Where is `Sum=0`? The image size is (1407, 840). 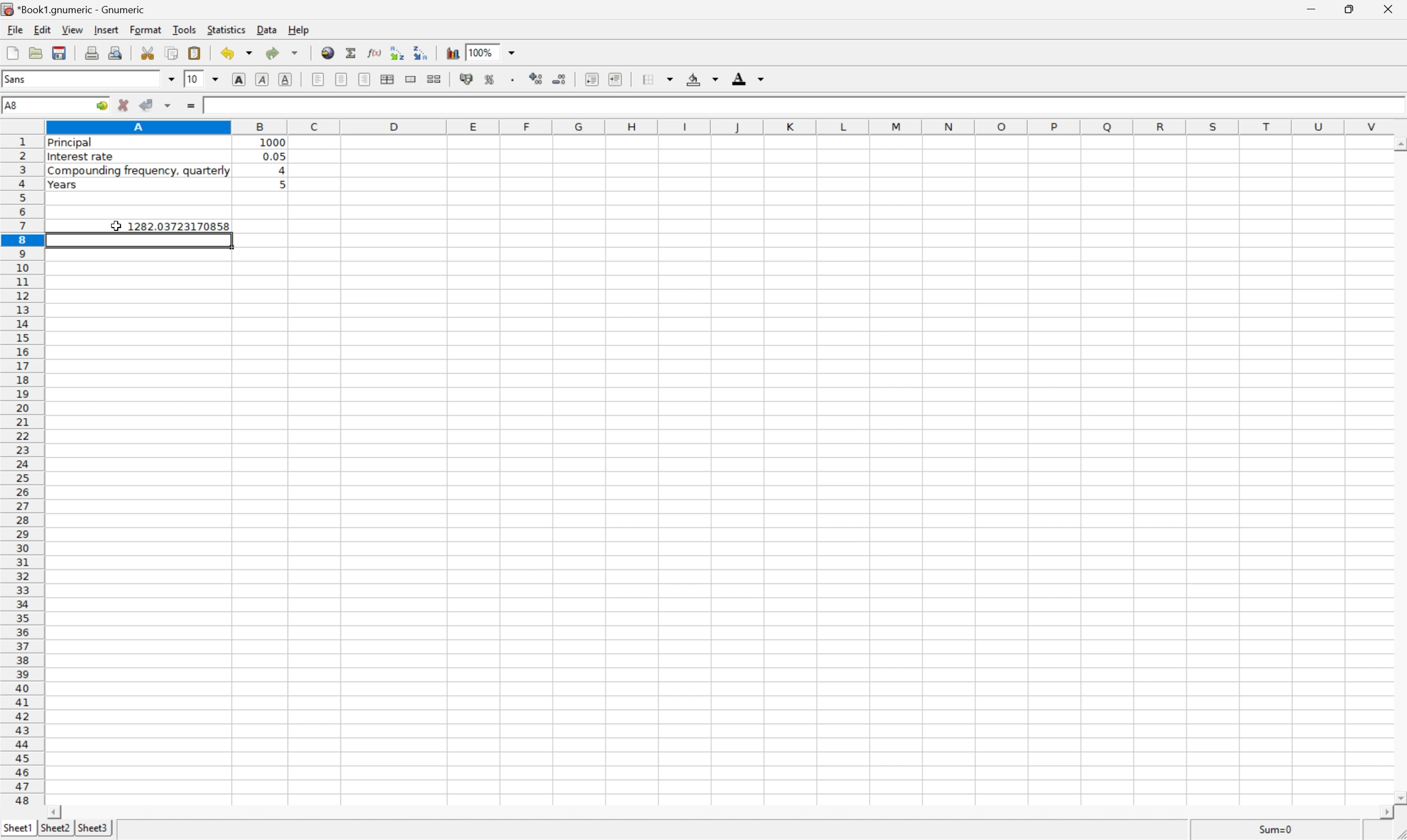
Sum=0 is located at coordinates (1276, 829).